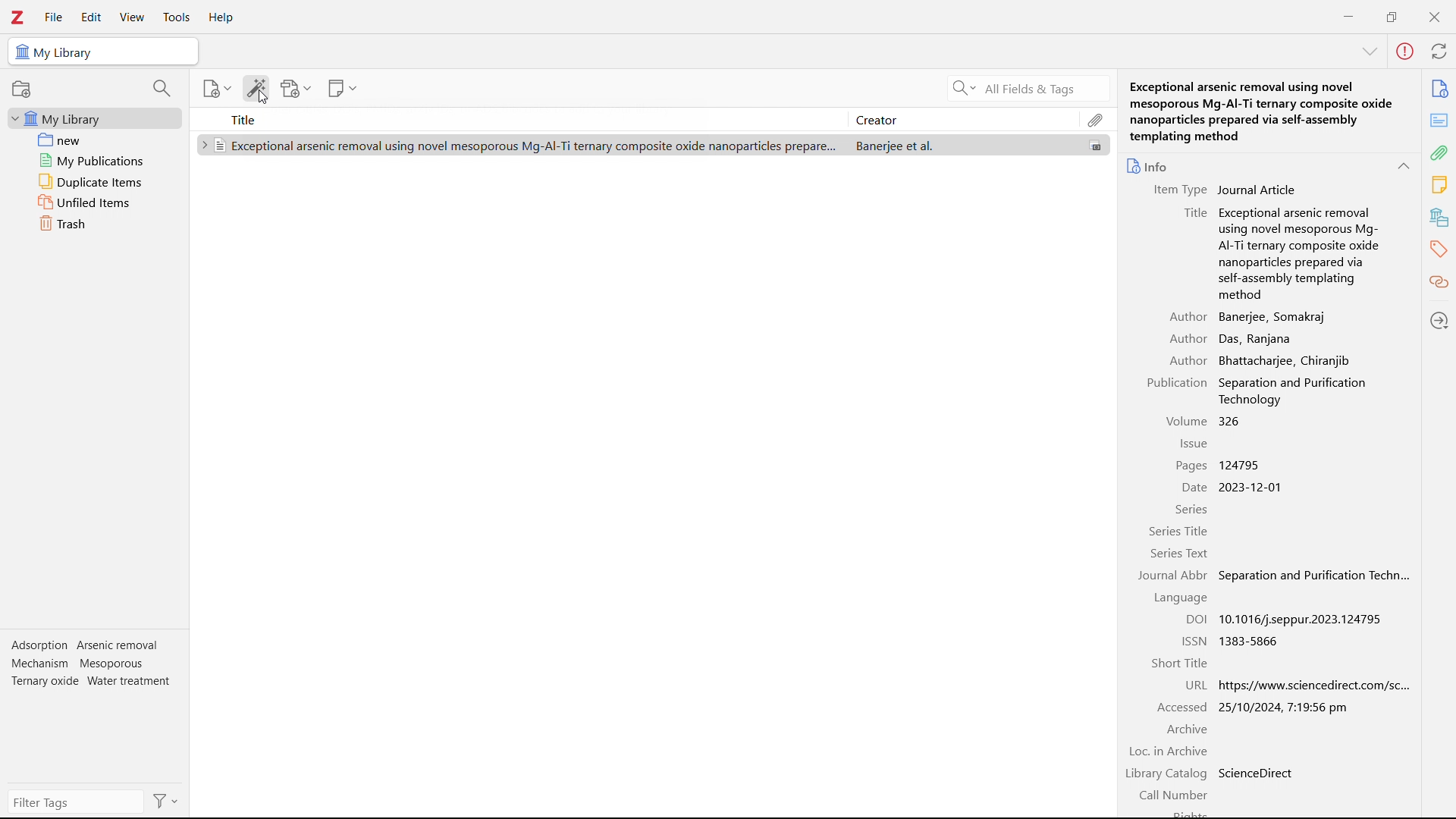  I want to click on Separation and purification technology, so click(1307, 391).